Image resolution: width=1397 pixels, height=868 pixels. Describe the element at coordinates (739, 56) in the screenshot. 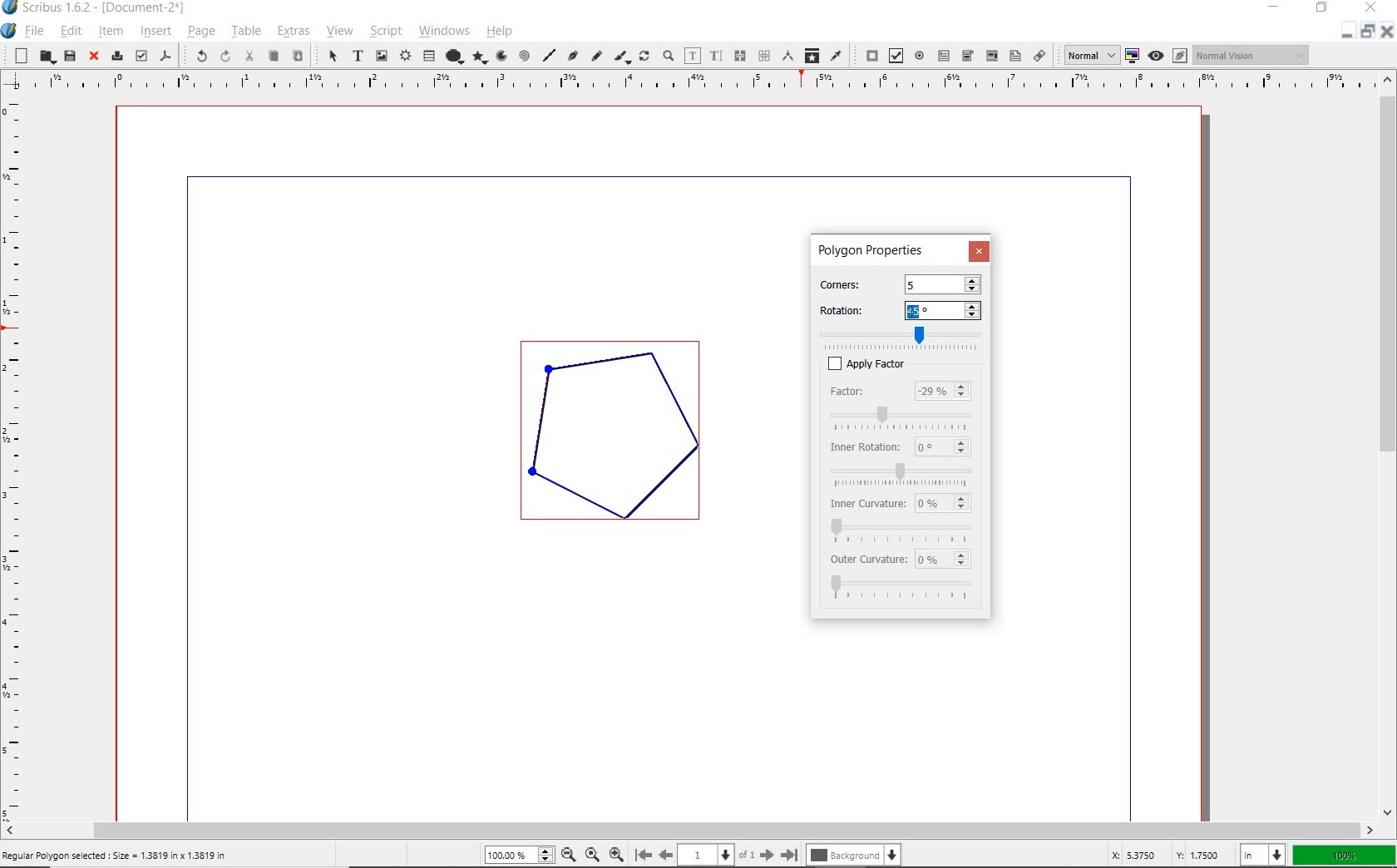

I see `link text frames` at that location.